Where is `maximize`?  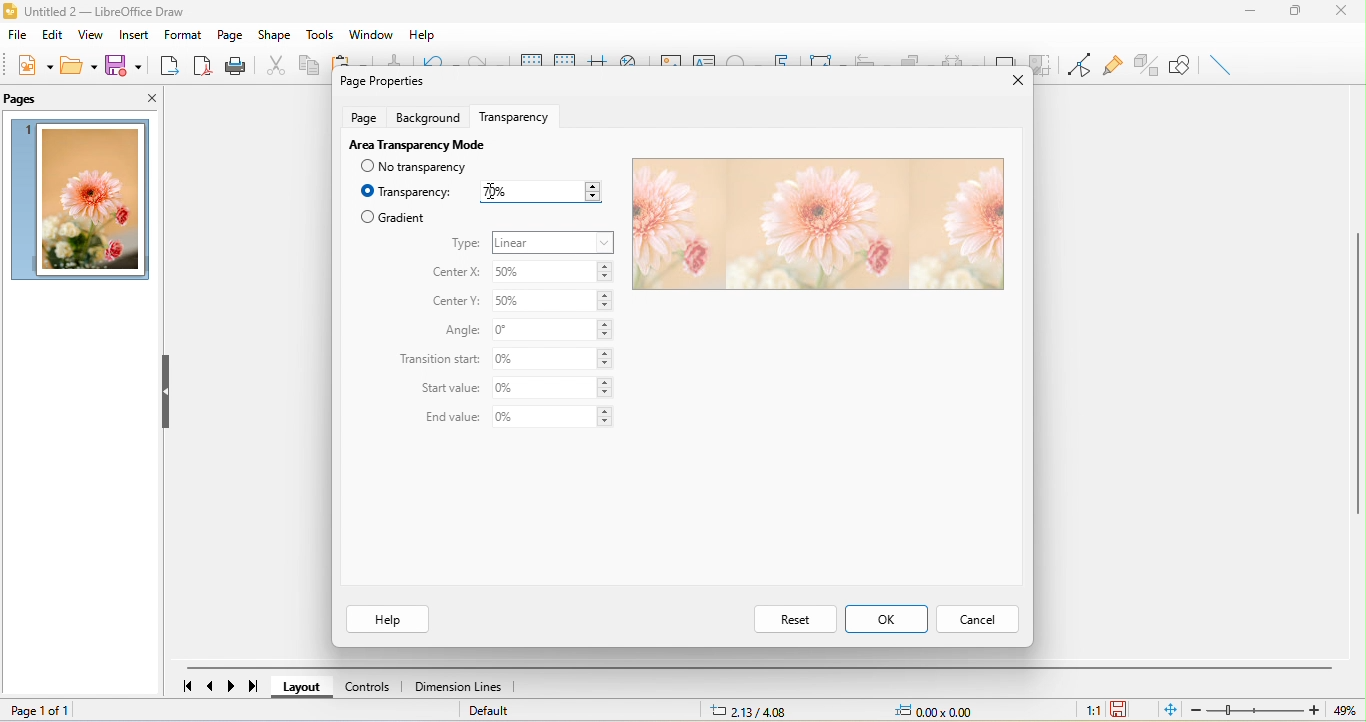
maximize is located at coordinates (1305, 13).